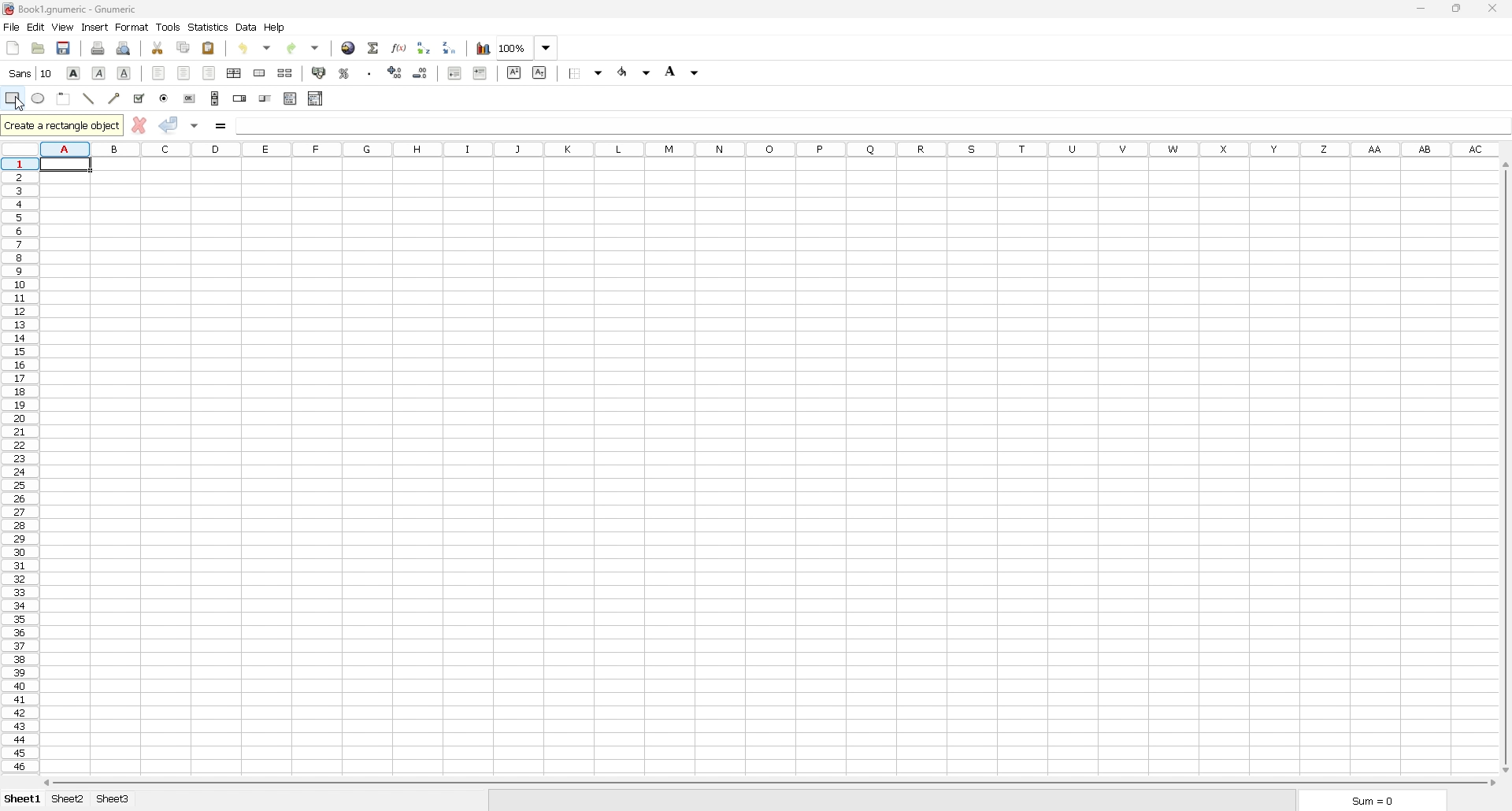 The height and width of the screenshot is (811, 1512). I want to click on italic, so click(99, 73).